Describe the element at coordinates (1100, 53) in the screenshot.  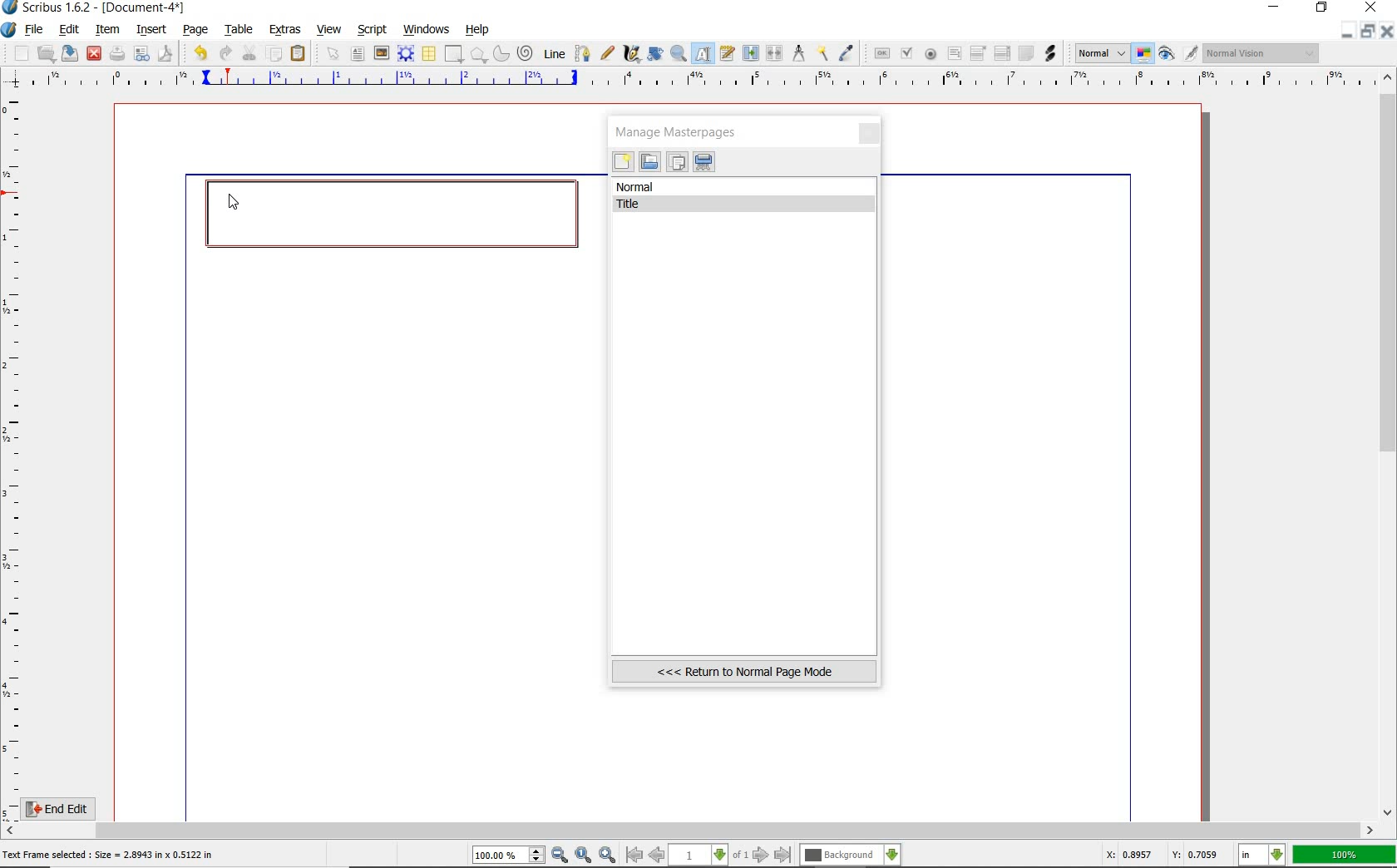
I see `Normal` at that location.